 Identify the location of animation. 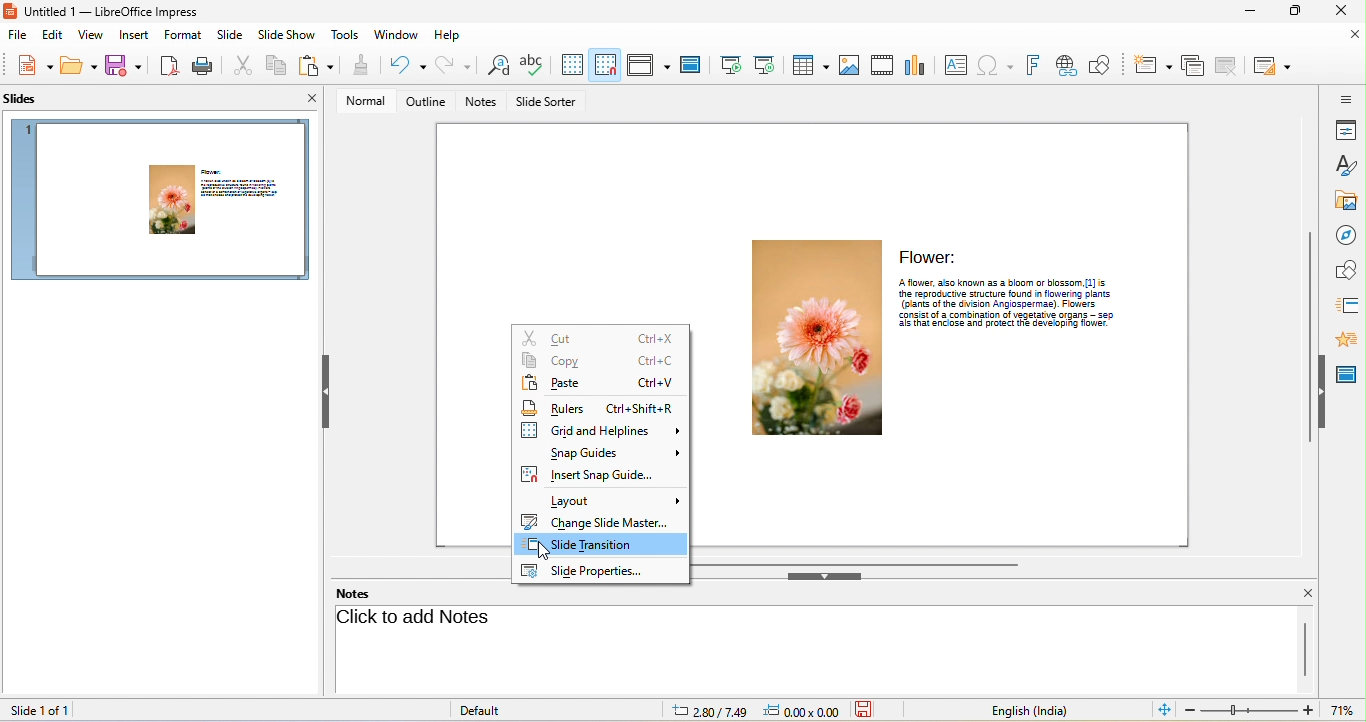
(1349, 337).